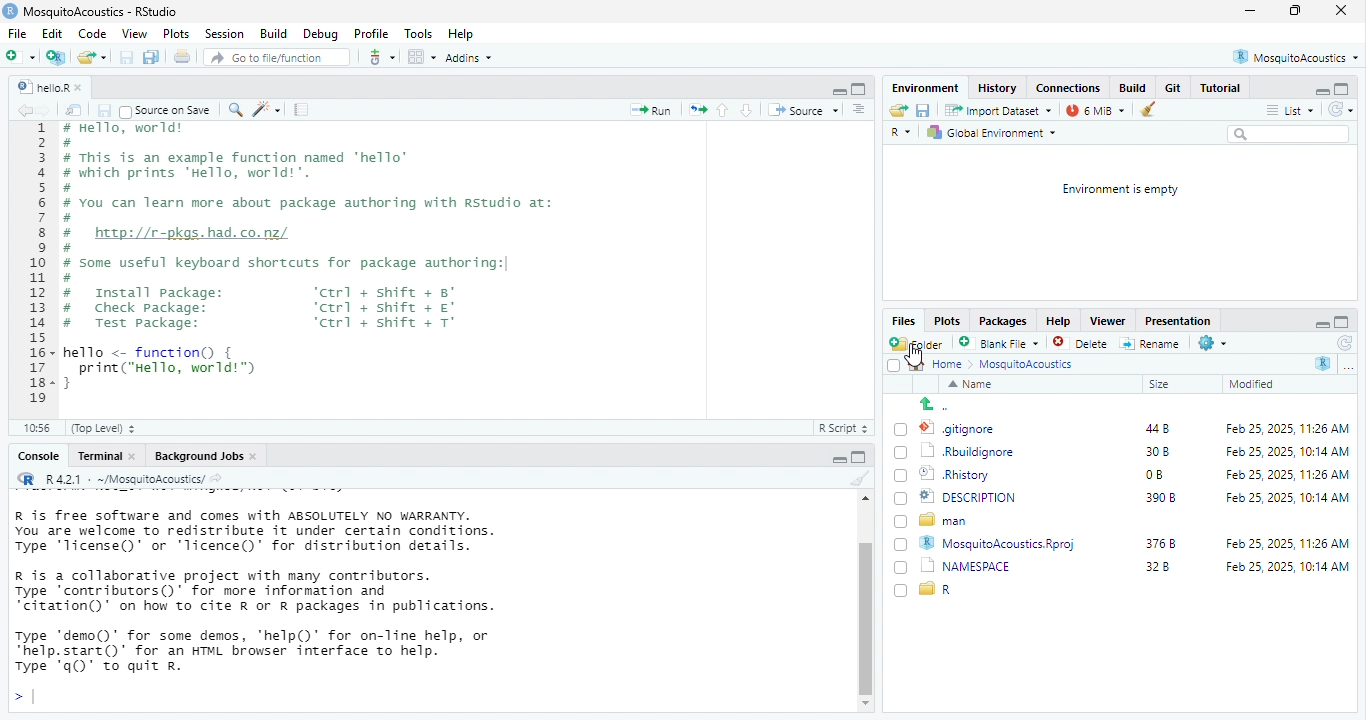 The image size is (1366, 720). Describe the element at coordinates (1341, 87) in the screenshot. I see `hide console` at that location.